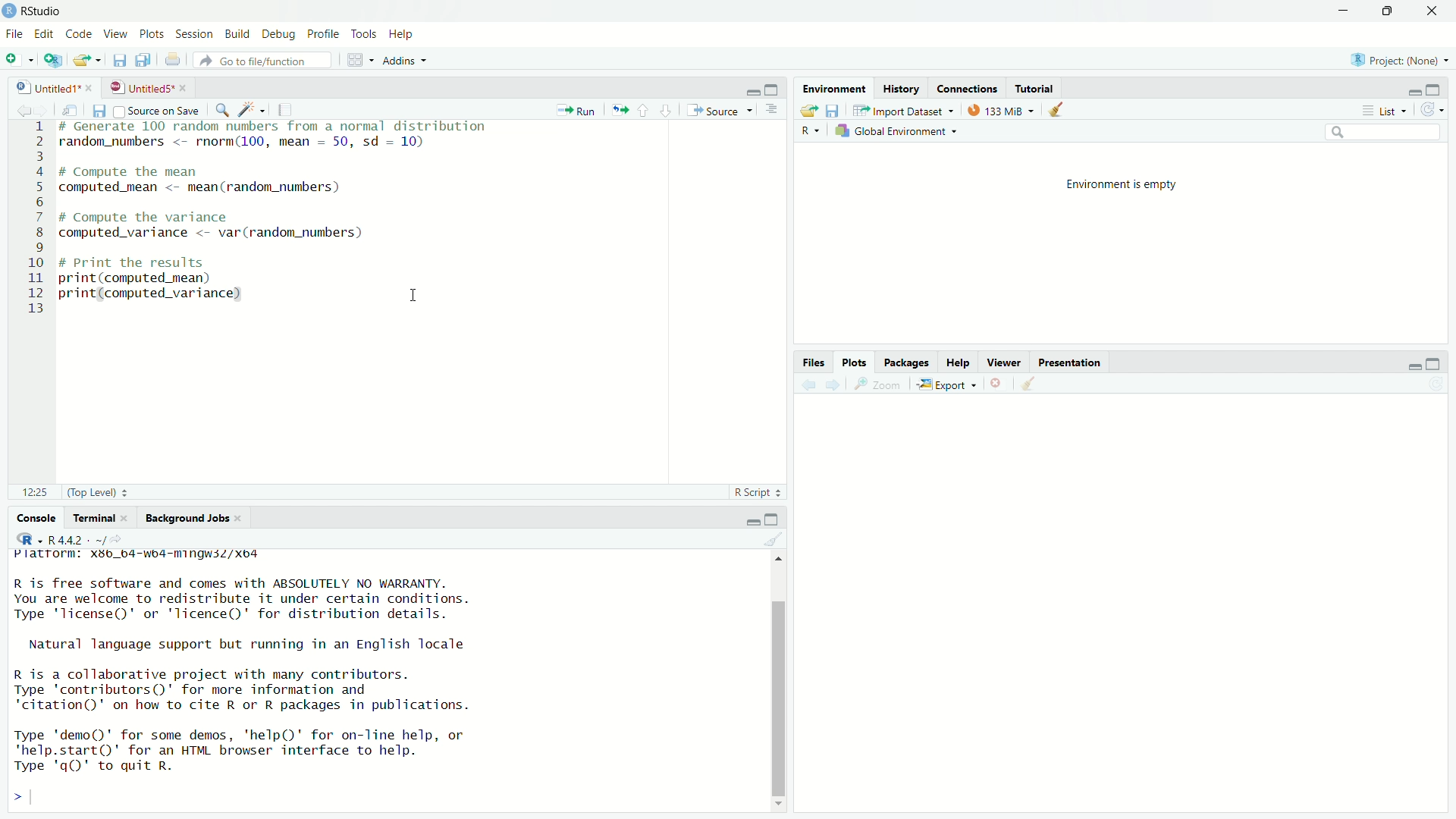 Image resolution: width=1456 pixels, height=819 pixels. Describe the element at coordinates (1385, 111) in the screenshot. I see `list` at that location.